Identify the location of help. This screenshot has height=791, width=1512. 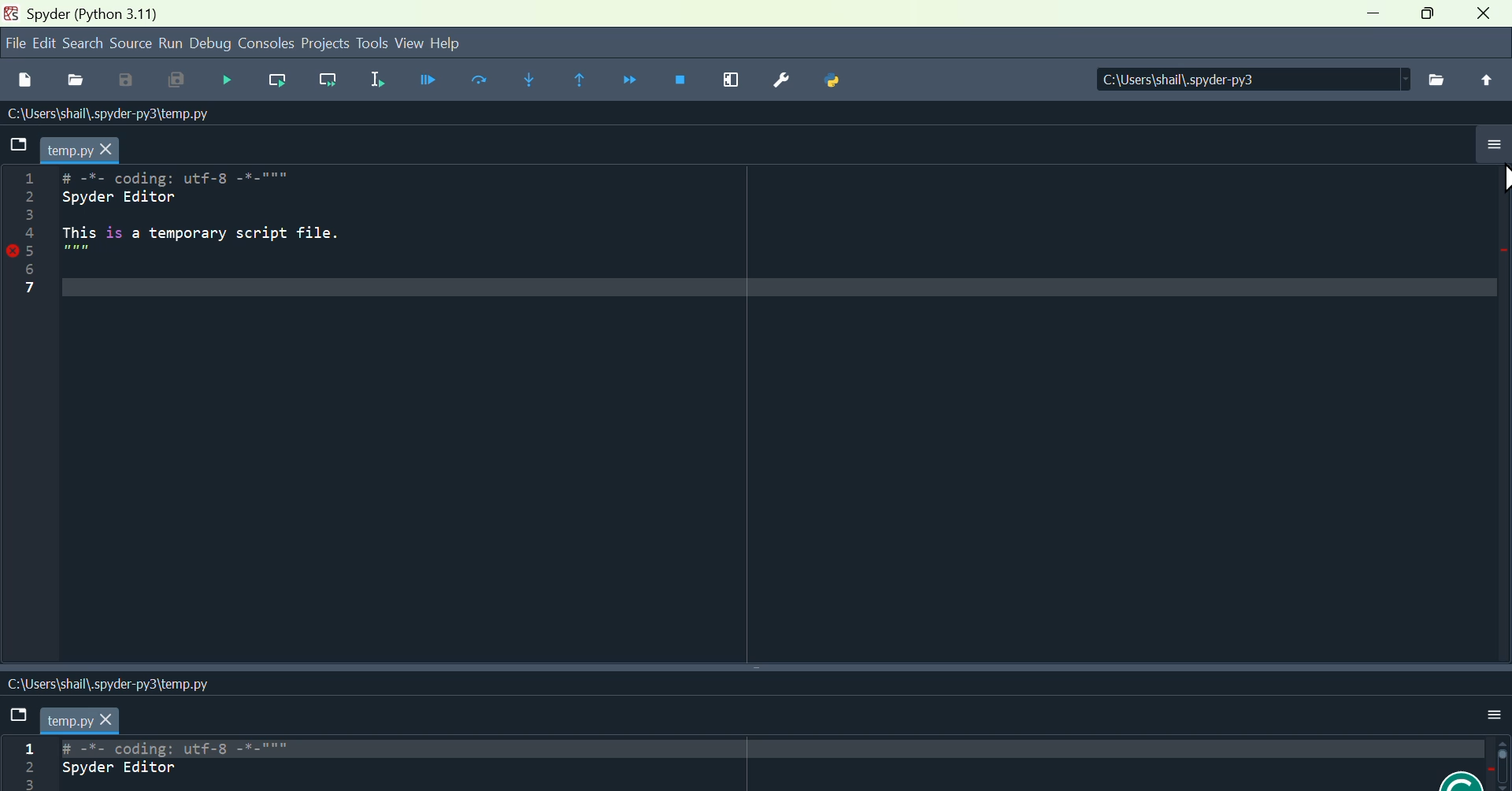
(454, 43).